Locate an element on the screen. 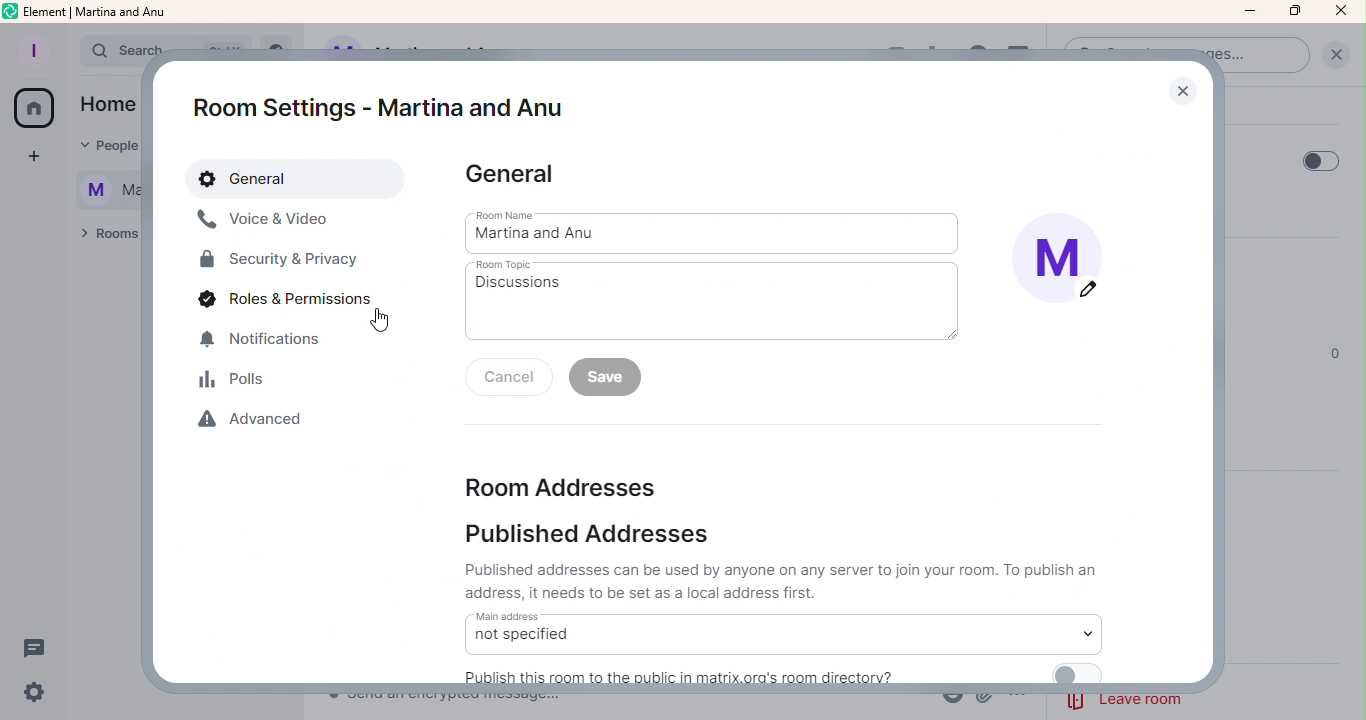  Room settings - Martina and Anu is located at coordinates (371, 96).